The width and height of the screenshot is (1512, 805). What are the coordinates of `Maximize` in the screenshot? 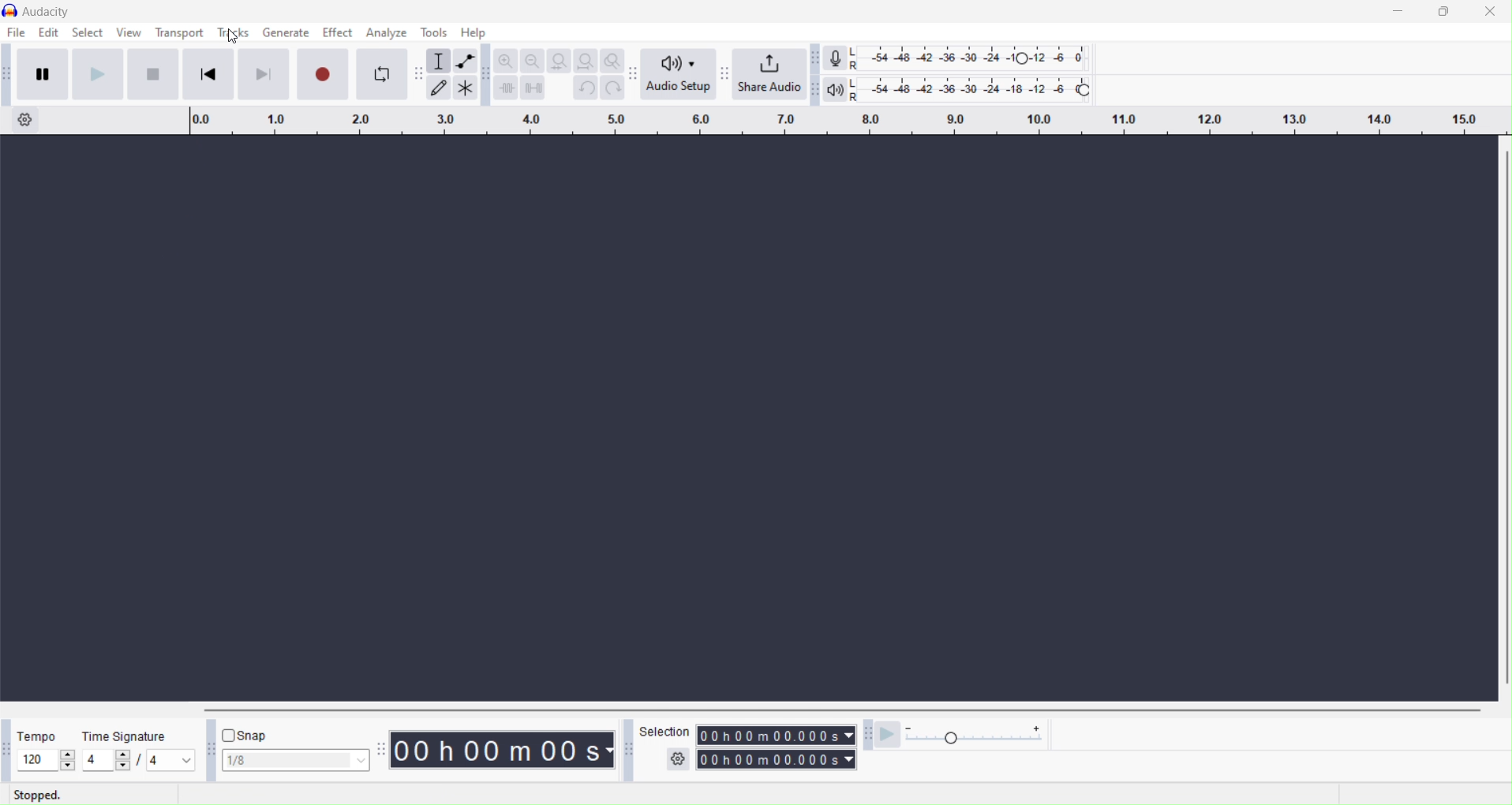 It's located at (1446, 13).